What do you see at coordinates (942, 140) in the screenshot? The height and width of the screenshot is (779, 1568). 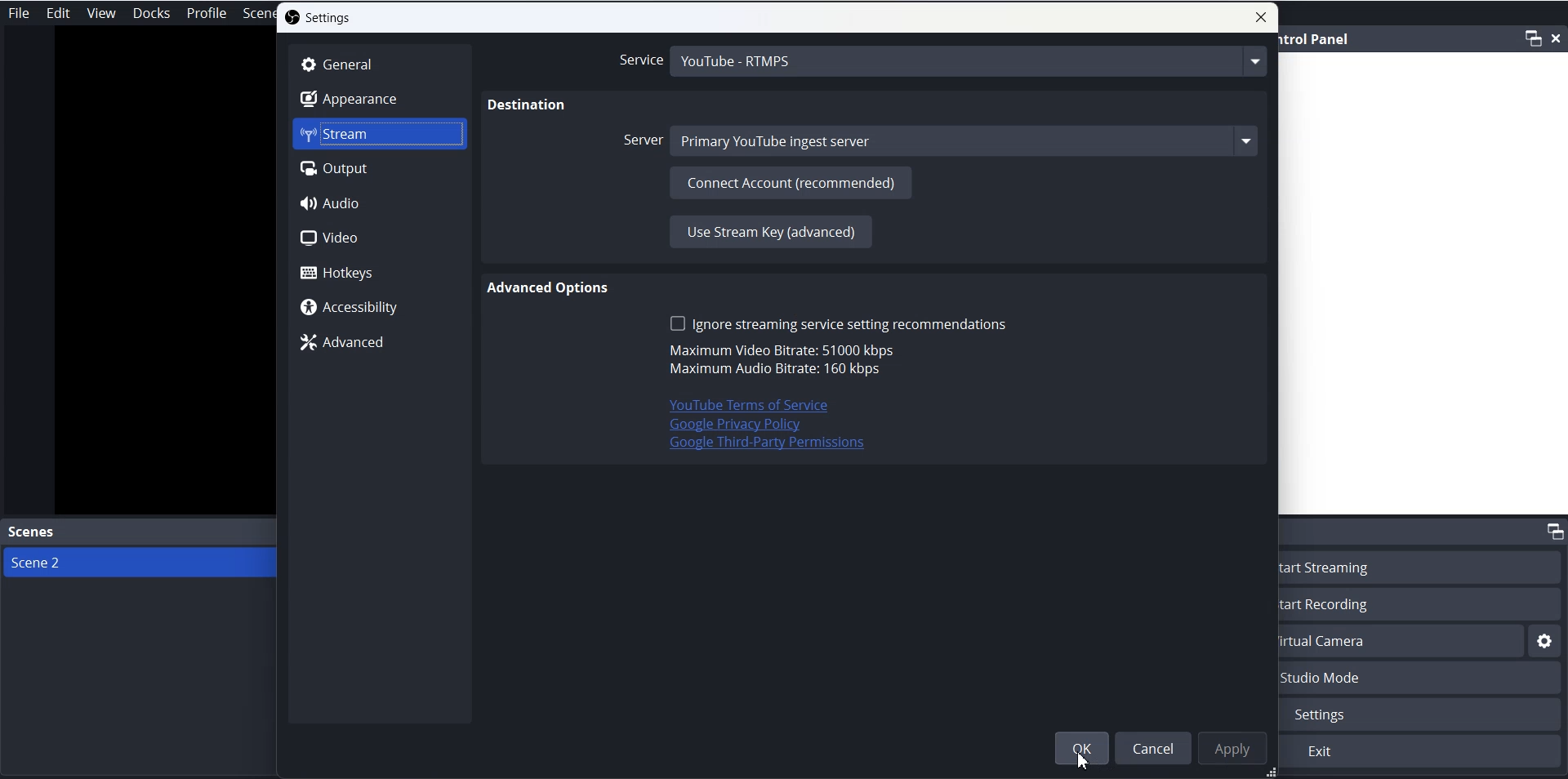 I see `server primary youtube ingest server` at bounding box center [942, 140].